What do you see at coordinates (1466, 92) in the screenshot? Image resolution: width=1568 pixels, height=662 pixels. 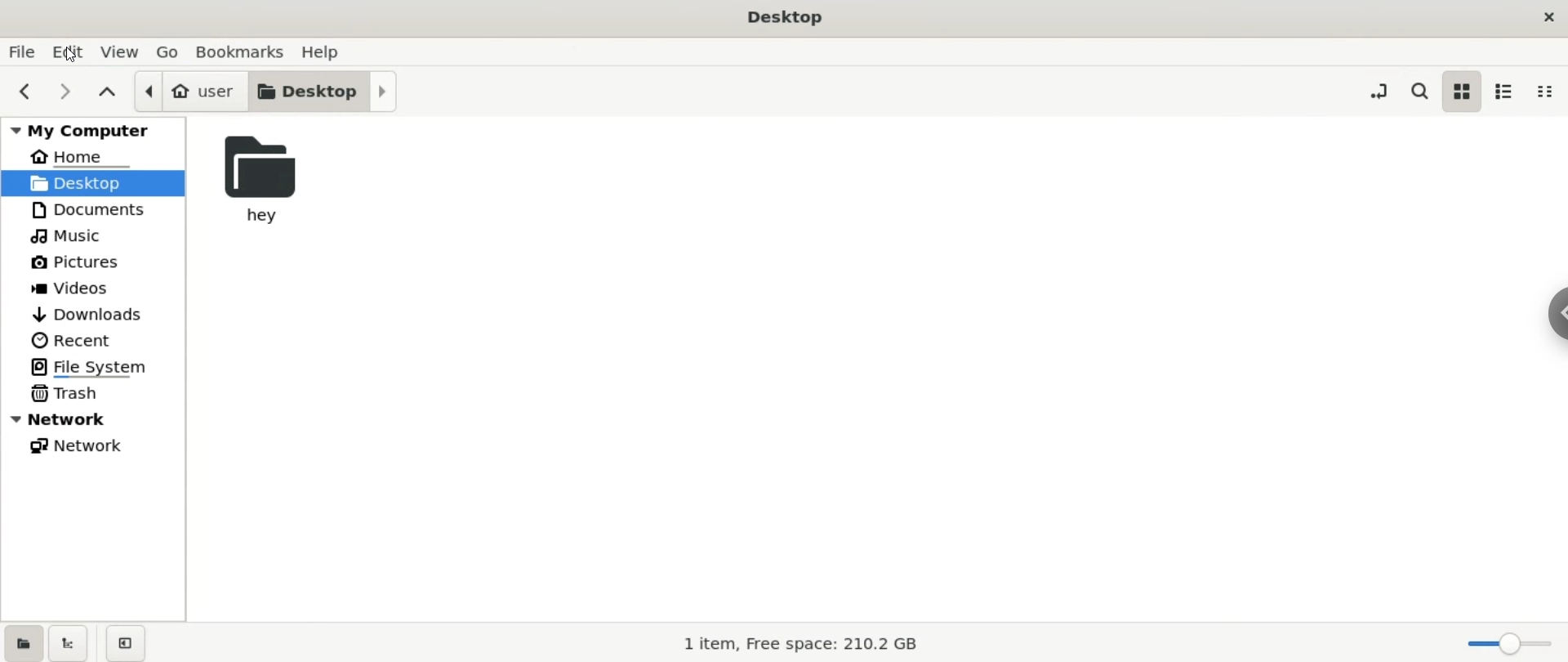 I see `icon view` at bounding box center [1466, 92].